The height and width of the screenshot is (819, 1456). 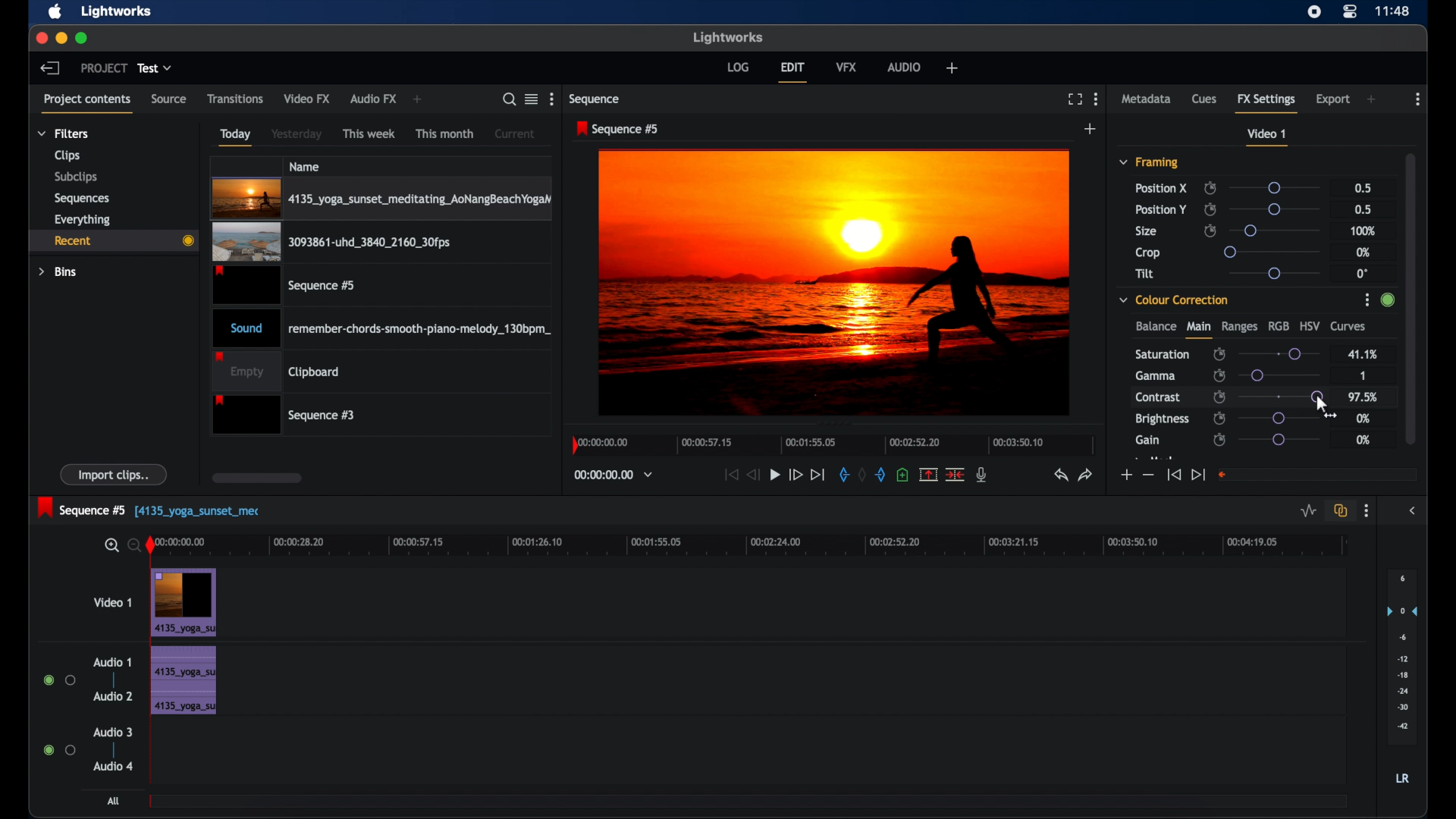 I want to click on slider, so click(x=1284, y=375).